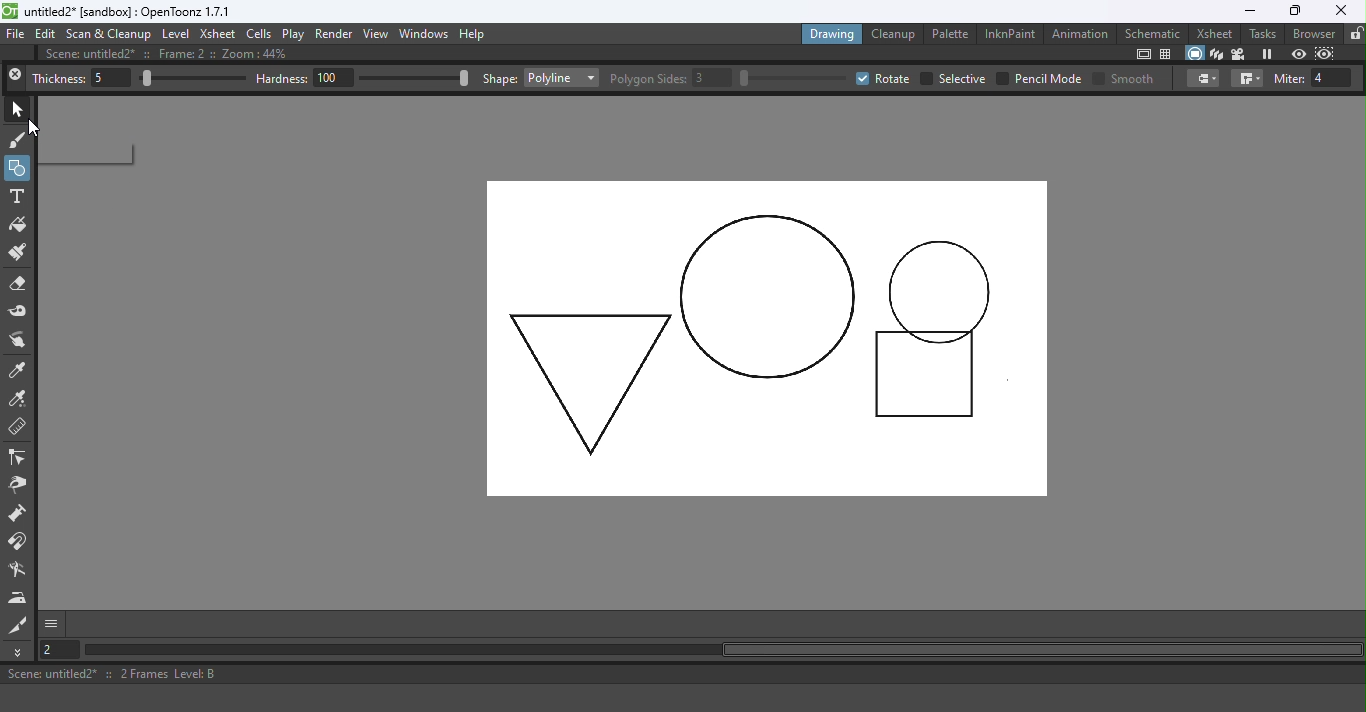  I want to click on Rotate, so click(795, 77).